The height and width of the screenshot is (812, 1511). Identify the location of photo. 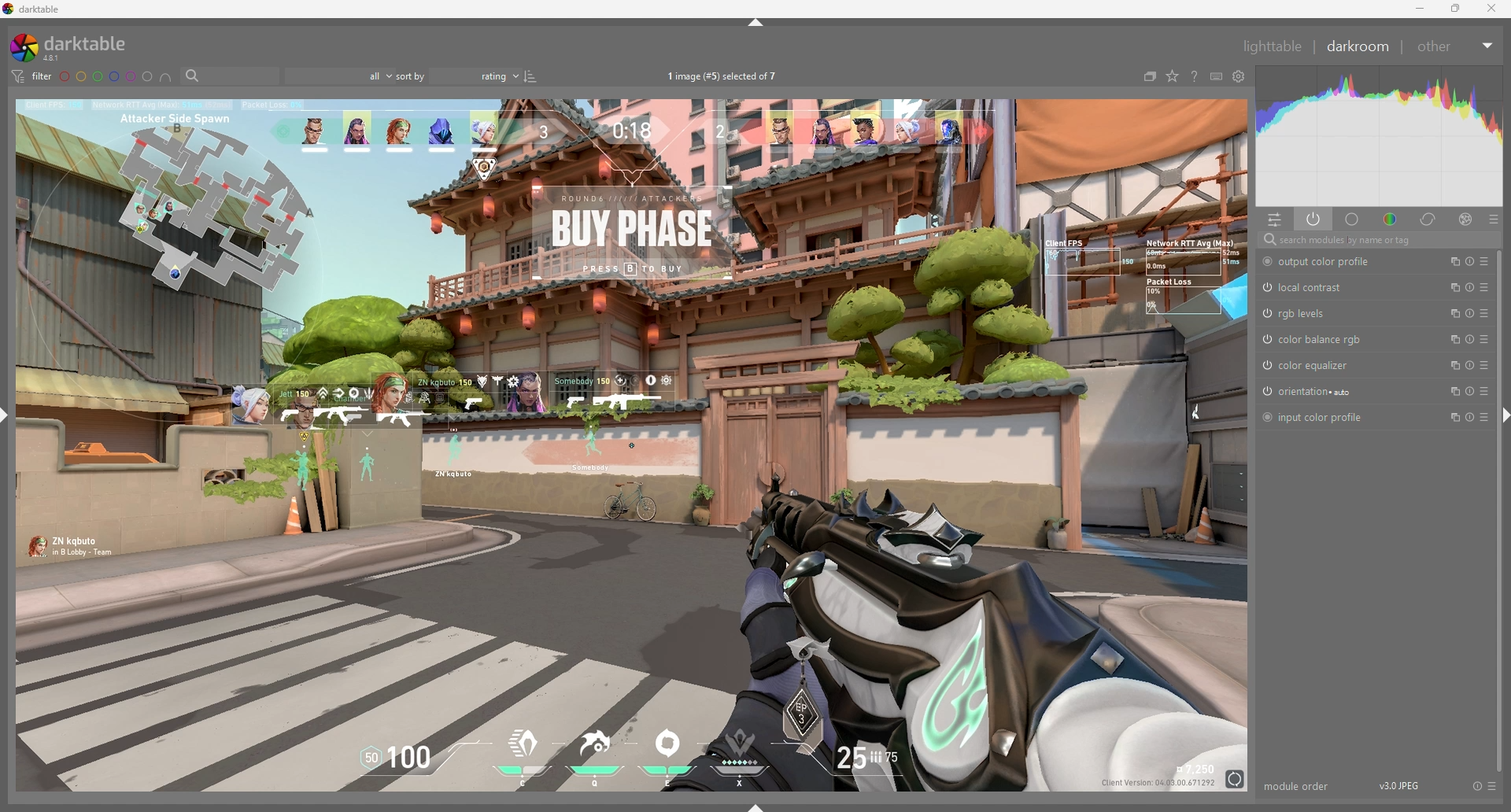
(634, 445).